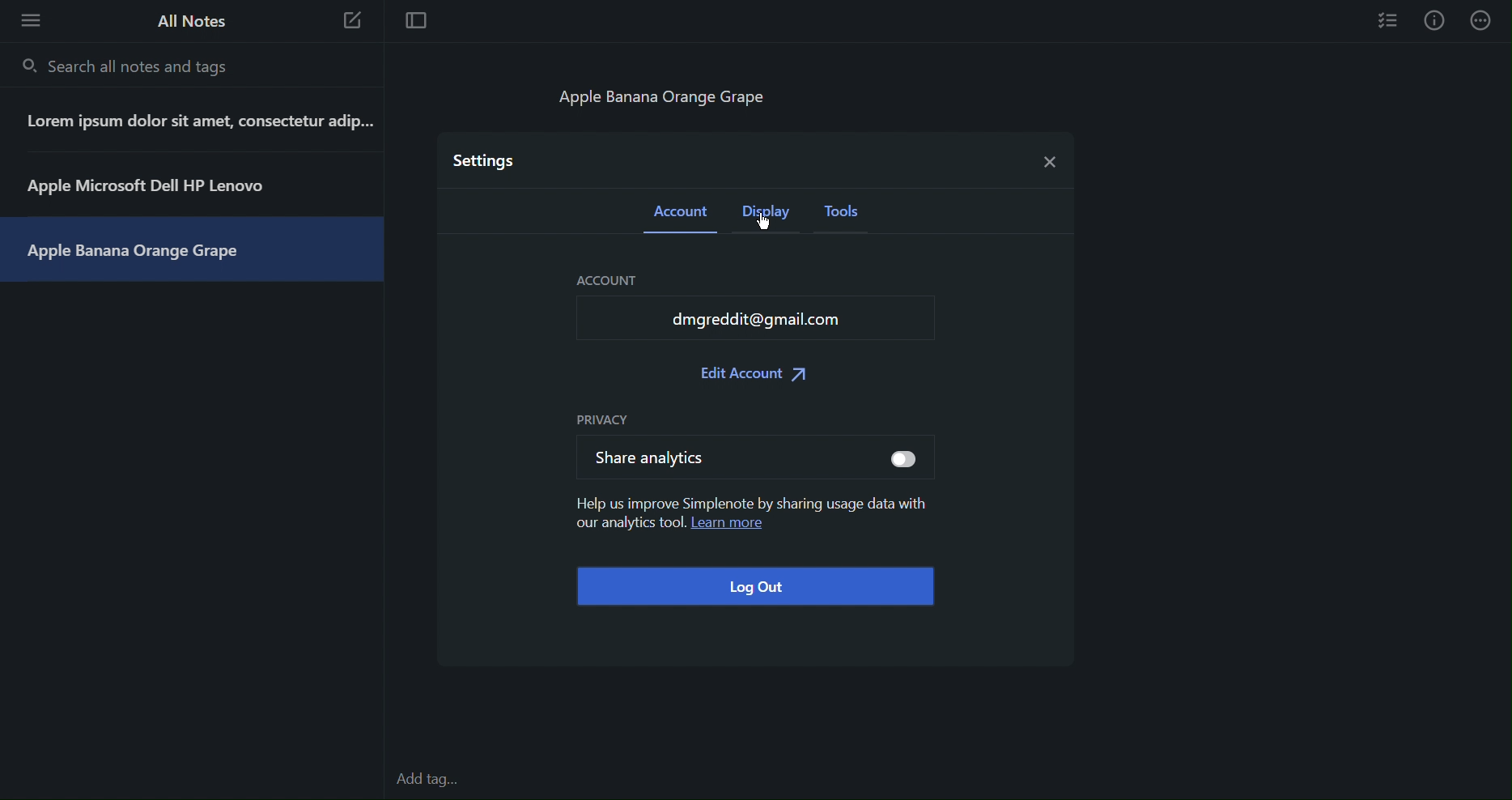 Image resolution: width=1512 pixels, height=800 pixels. What do you see at coordinates (486, 160) in the screenshot?
I see `Settings` at bounding box center [486, 160].